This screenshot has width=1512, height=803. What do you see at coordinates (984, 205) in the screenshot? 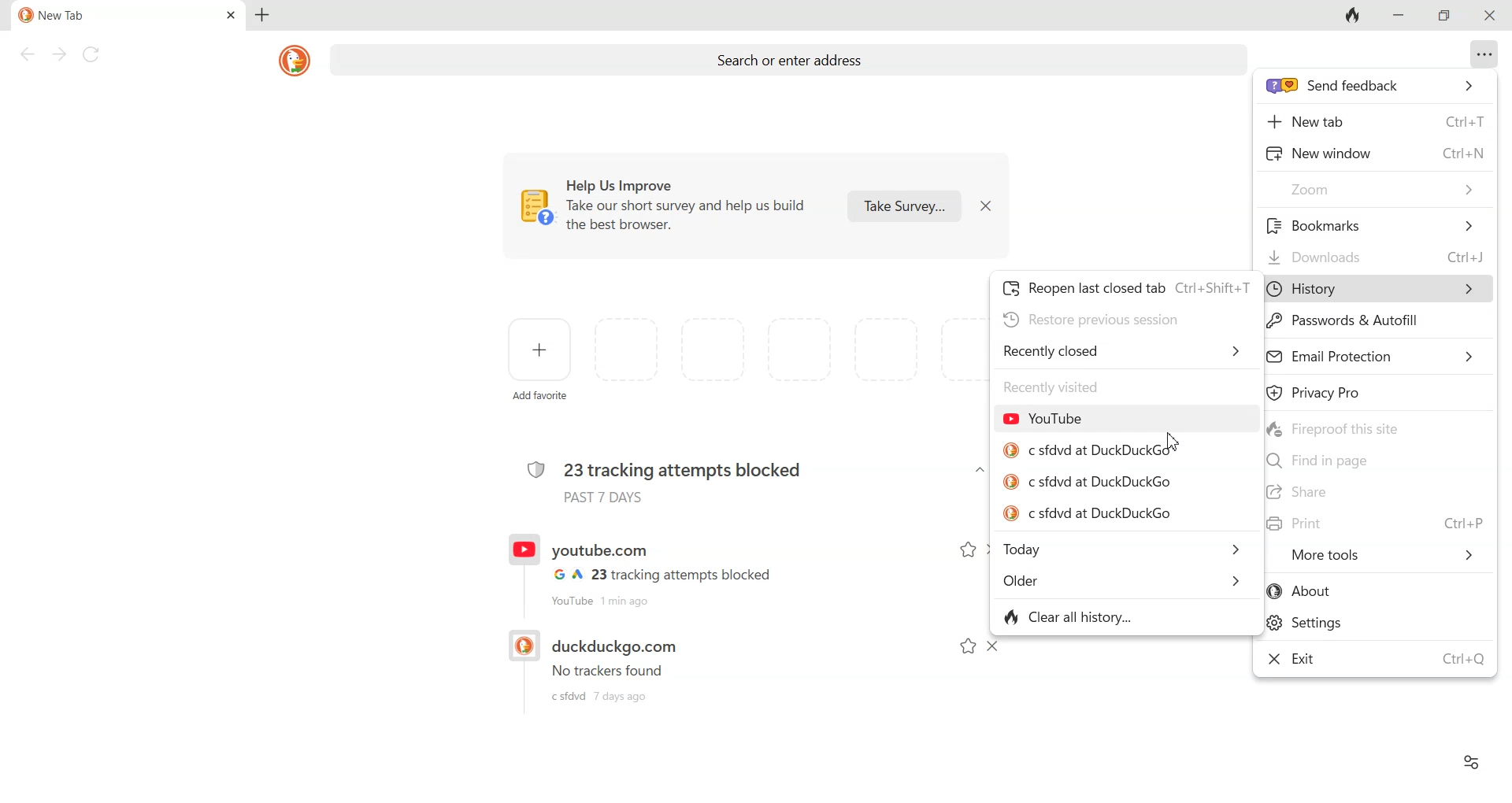
I see `Dismiss` at bounding box center [984, 205].